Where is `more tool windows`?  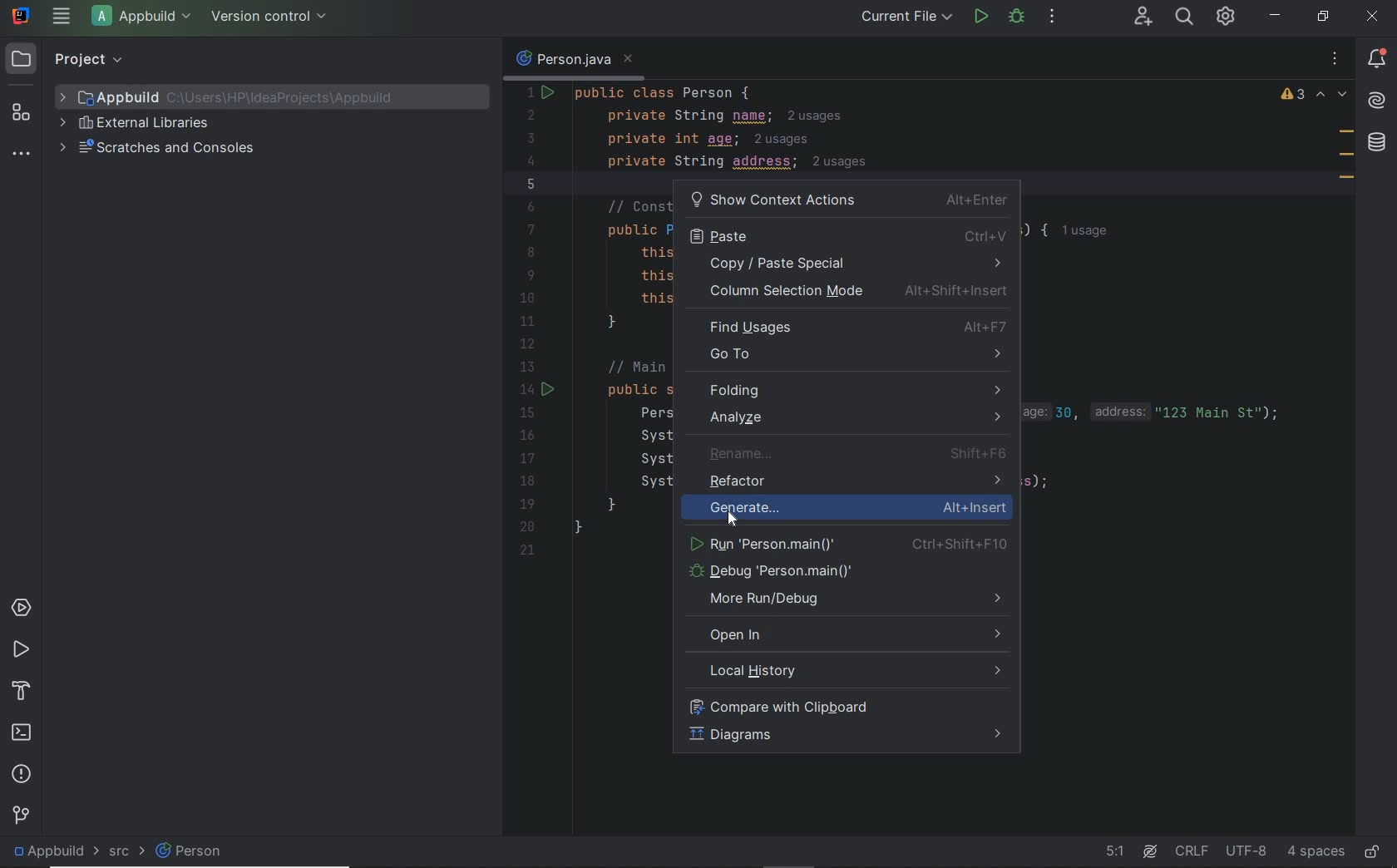
more tool windows is located at coordinates (20, 155).